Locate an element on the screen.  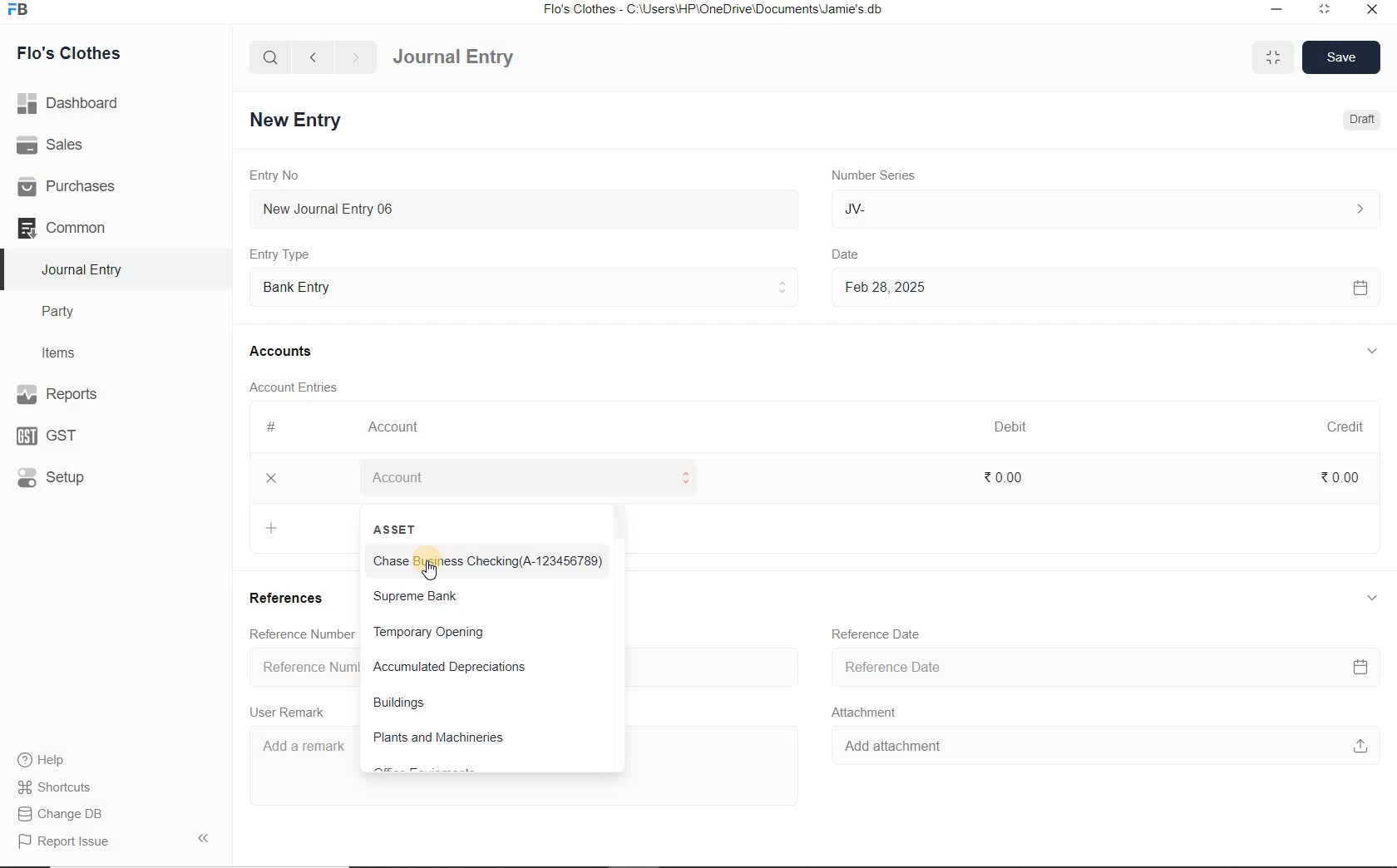
Journal Entry is located at coordinates (84, 269).